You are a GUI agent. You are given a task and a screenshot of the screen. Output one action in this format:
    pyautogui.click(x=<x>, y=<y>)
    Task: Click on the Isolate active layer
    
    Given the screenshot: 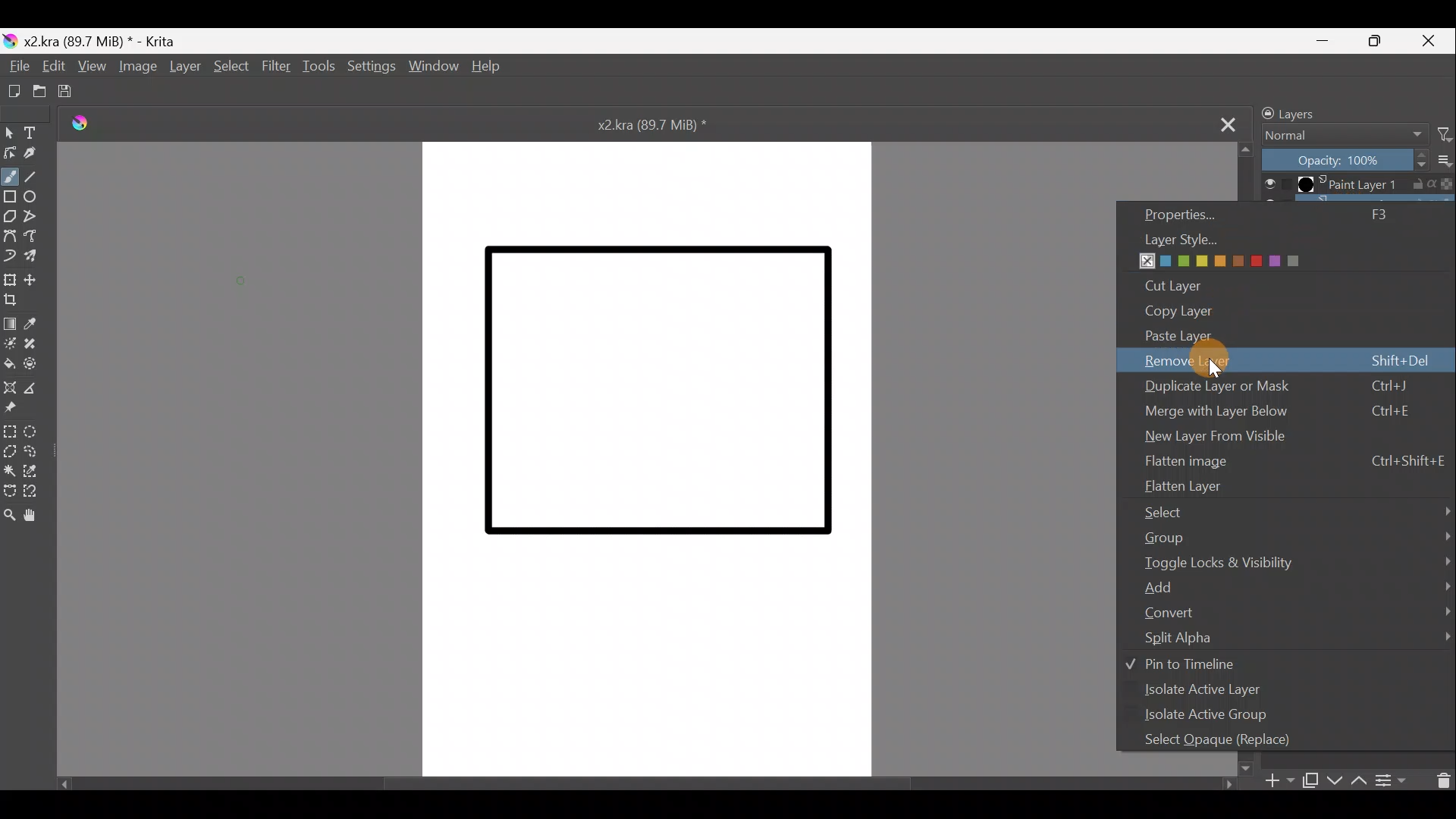 What is the action you would take?
    pyautogui.click(x=1204, y=692)
    